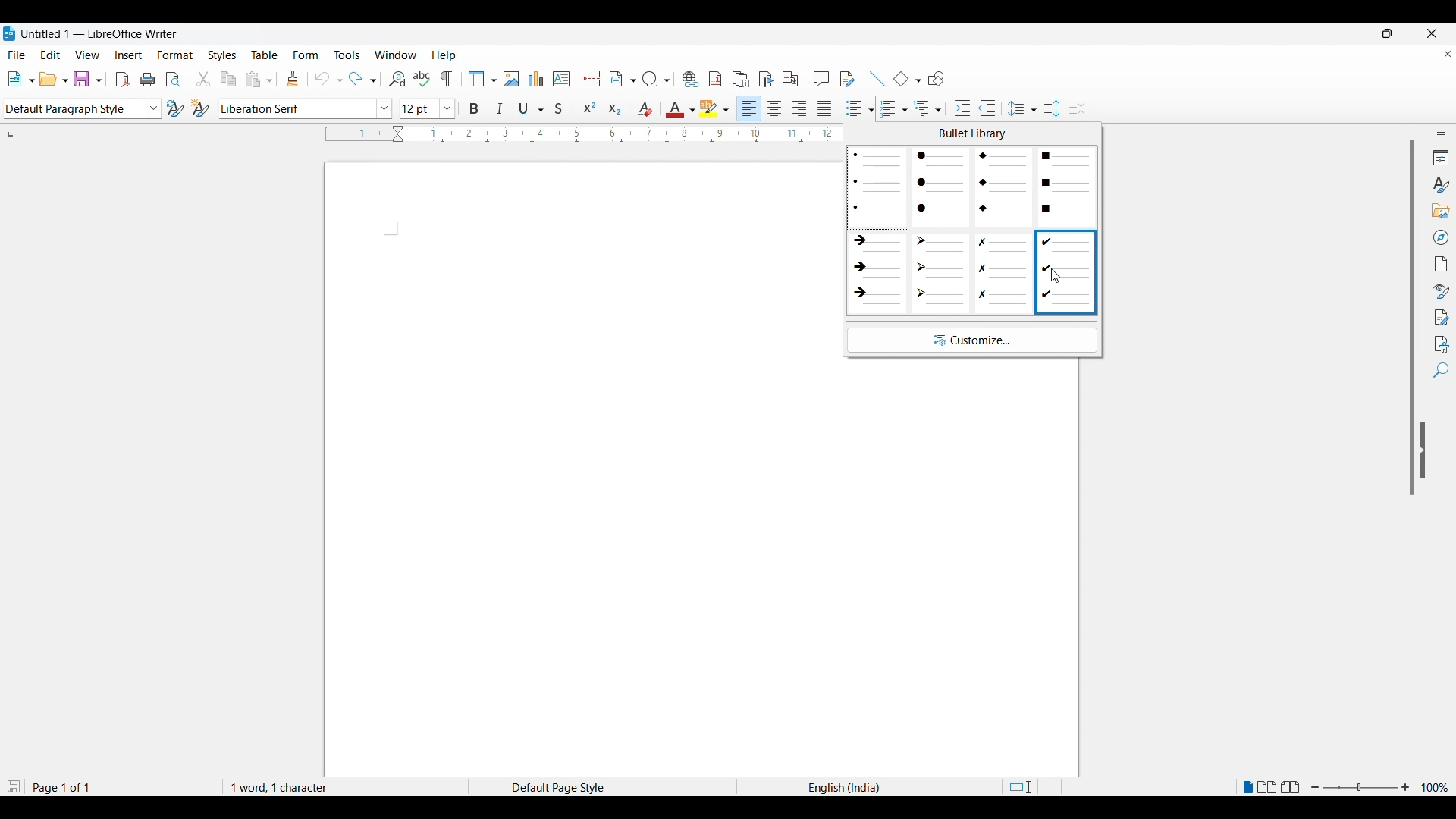  I want to click on export, so click(124, 80).